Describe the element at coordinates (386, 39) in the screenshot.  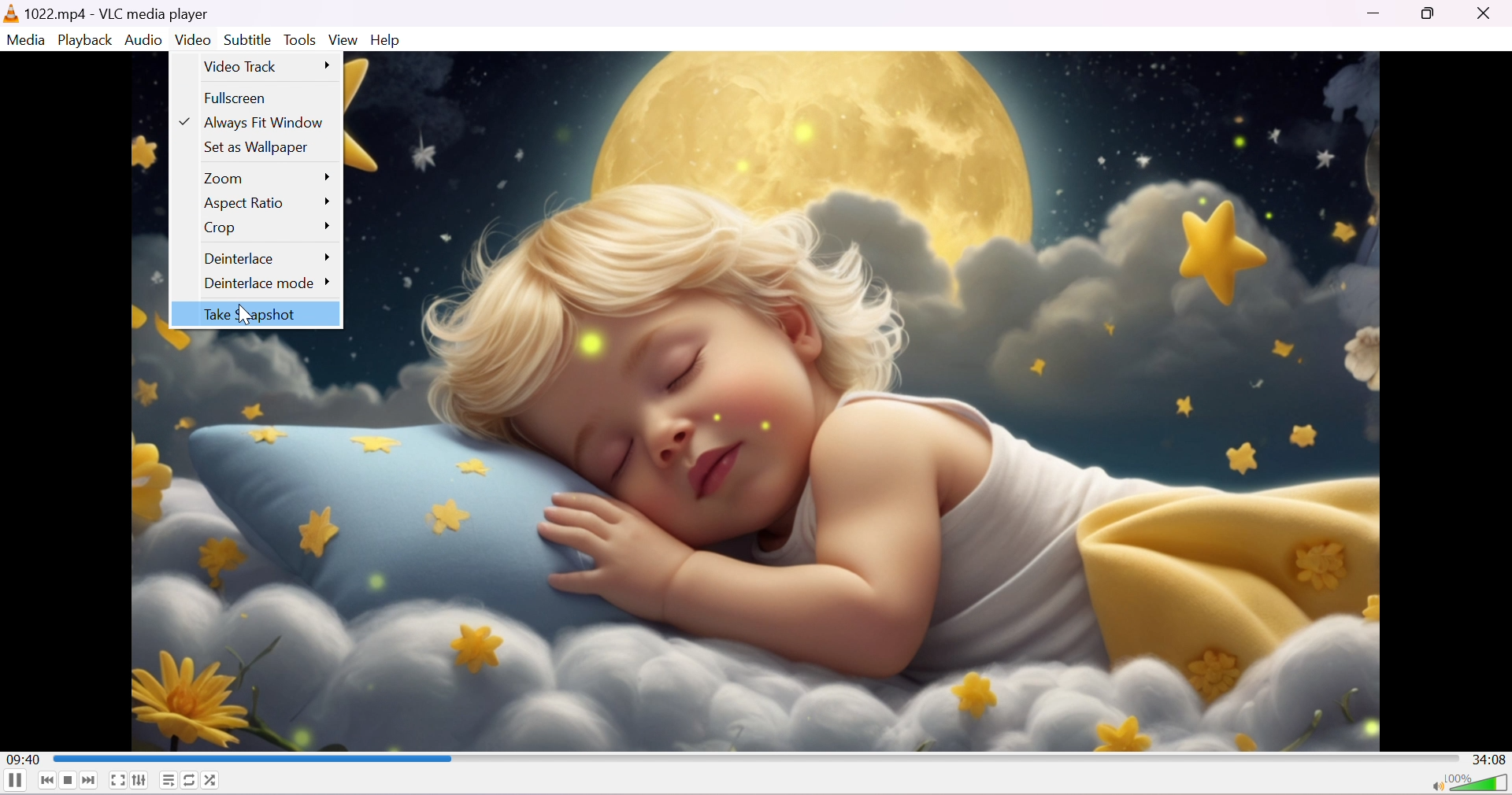
I see `Help` at that location.